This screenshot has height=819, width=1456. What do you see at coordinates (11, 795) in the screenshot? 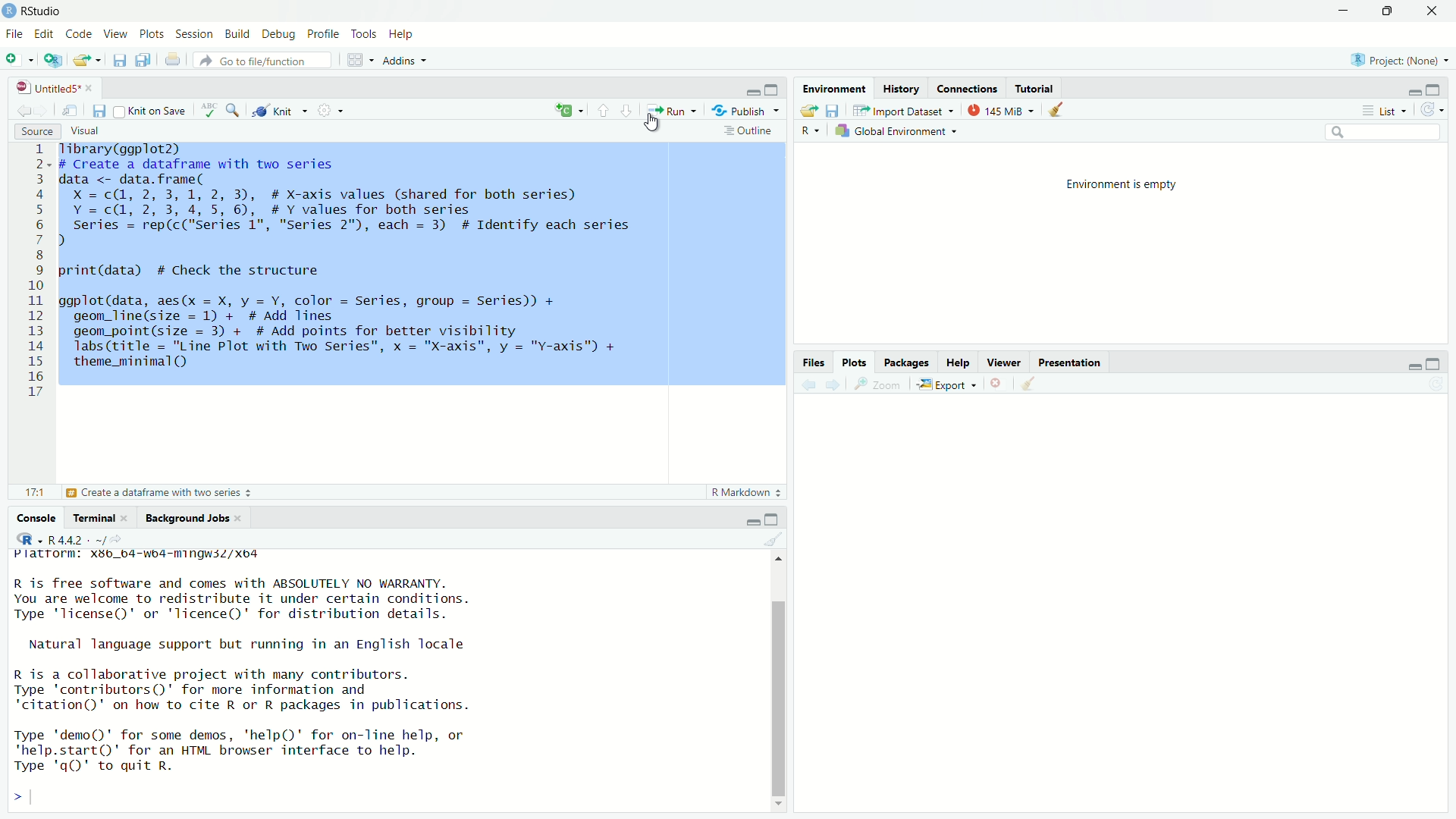
I see `>` at bounding box center [11, 795].